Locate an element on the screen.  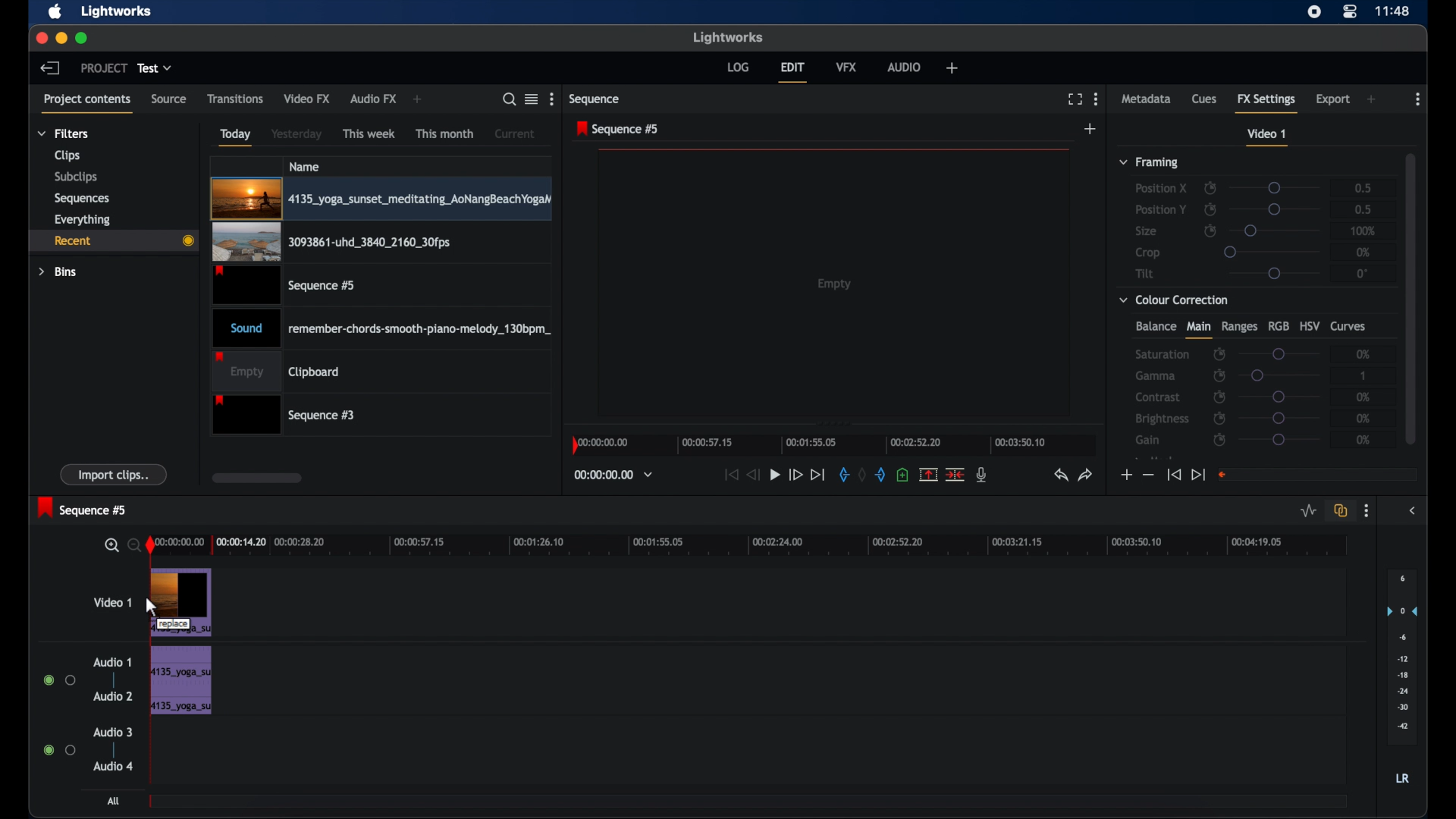
1 is located at coordinates (1362, 375).